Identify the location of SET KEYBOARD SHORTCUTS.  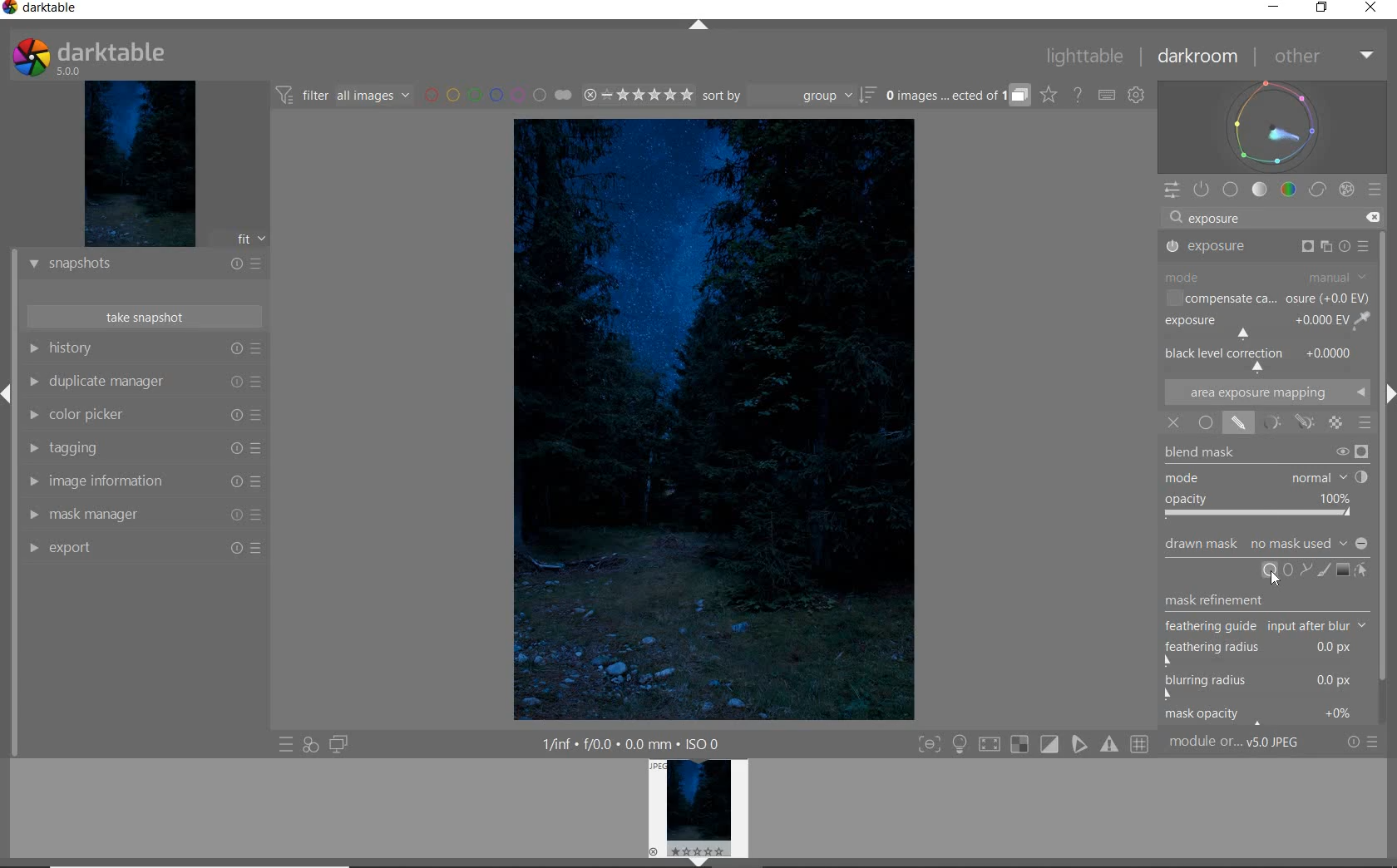
(1107, 96).